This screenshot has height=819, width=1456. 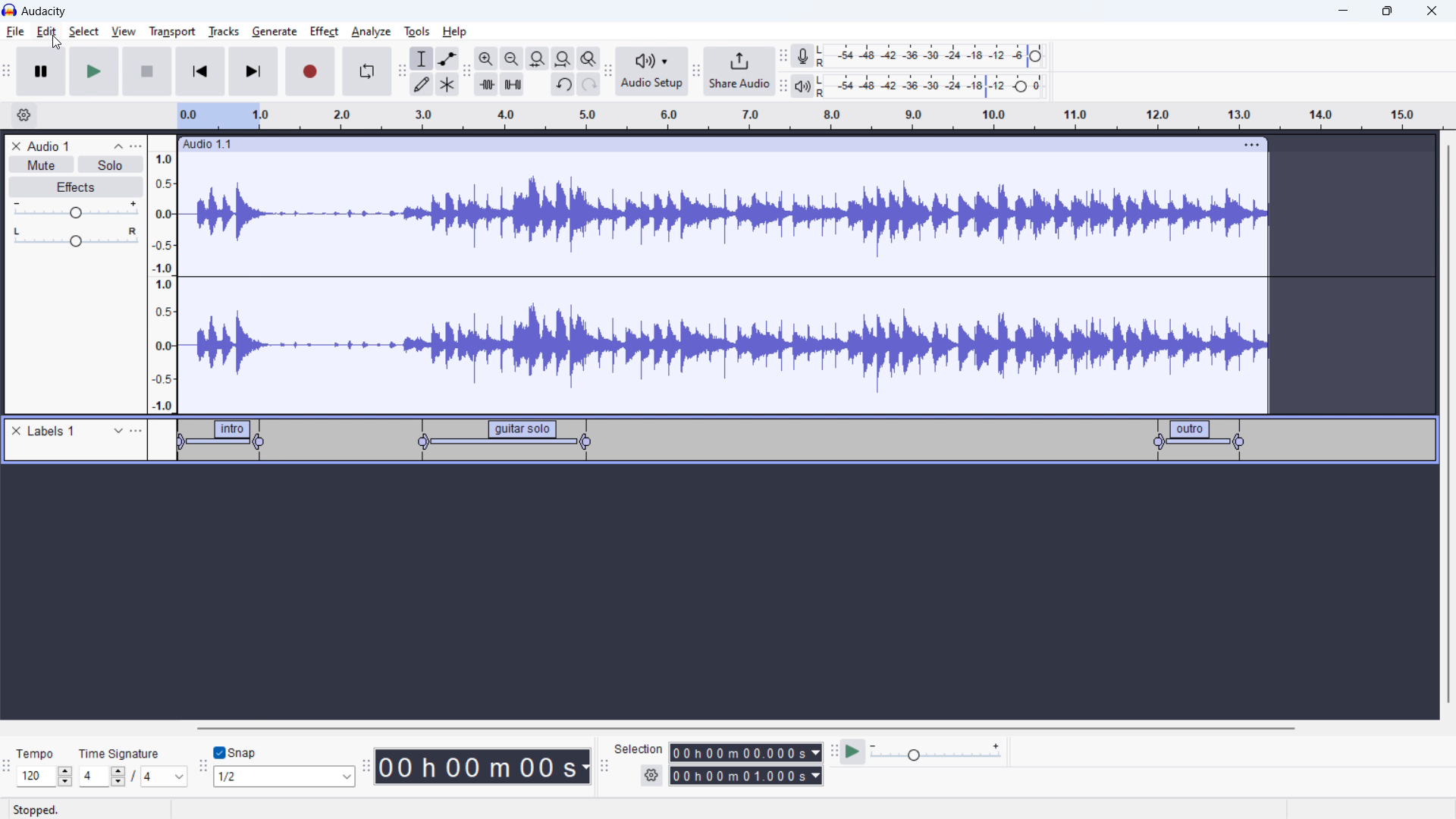 What do you see at coordinates (77, 187) in the screenshot?
I see `effects` at bounding box center [77, 187].